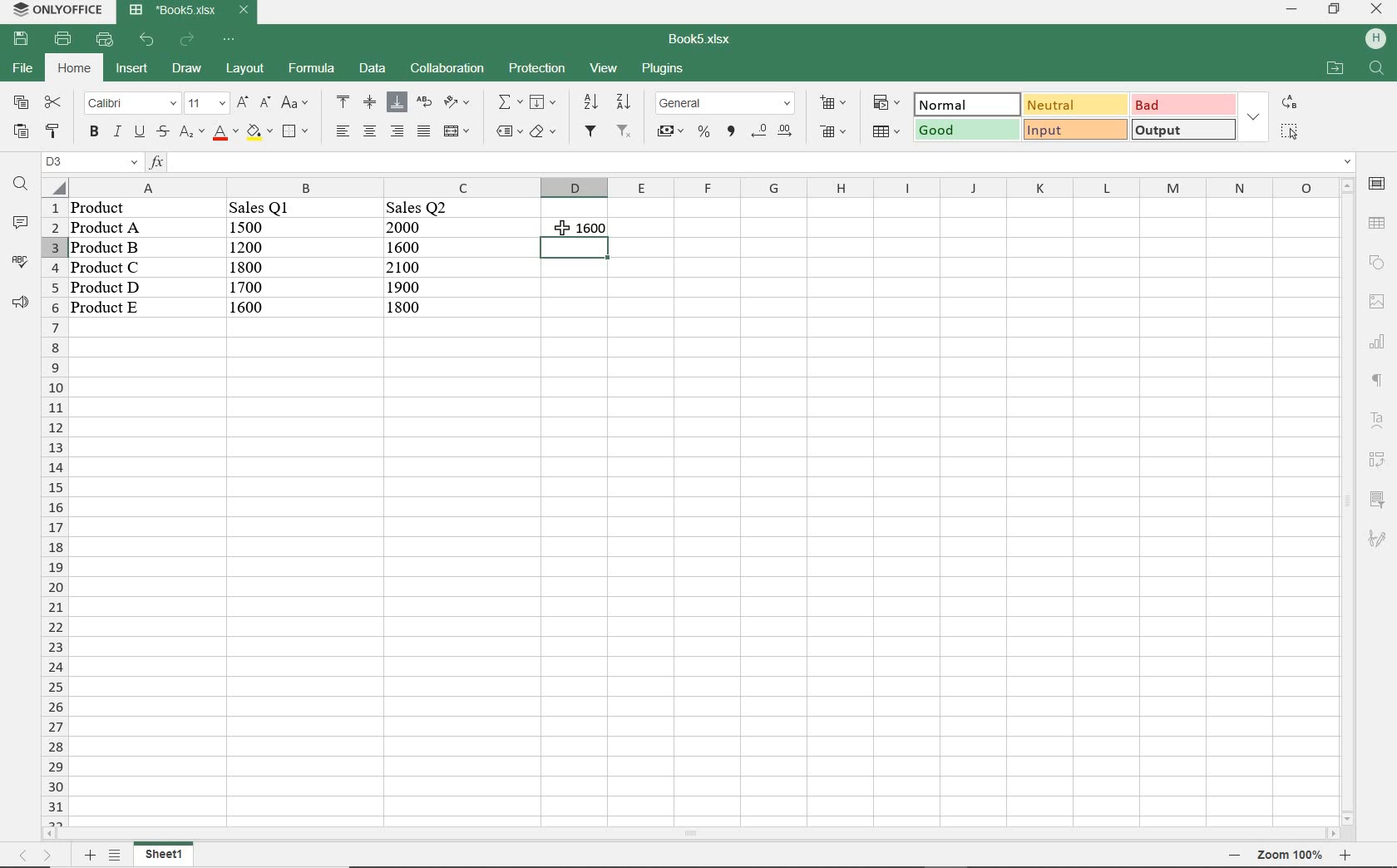  Describe the element at coordinates (627, 131) in the screenshot. I see `remove filter` at that location.